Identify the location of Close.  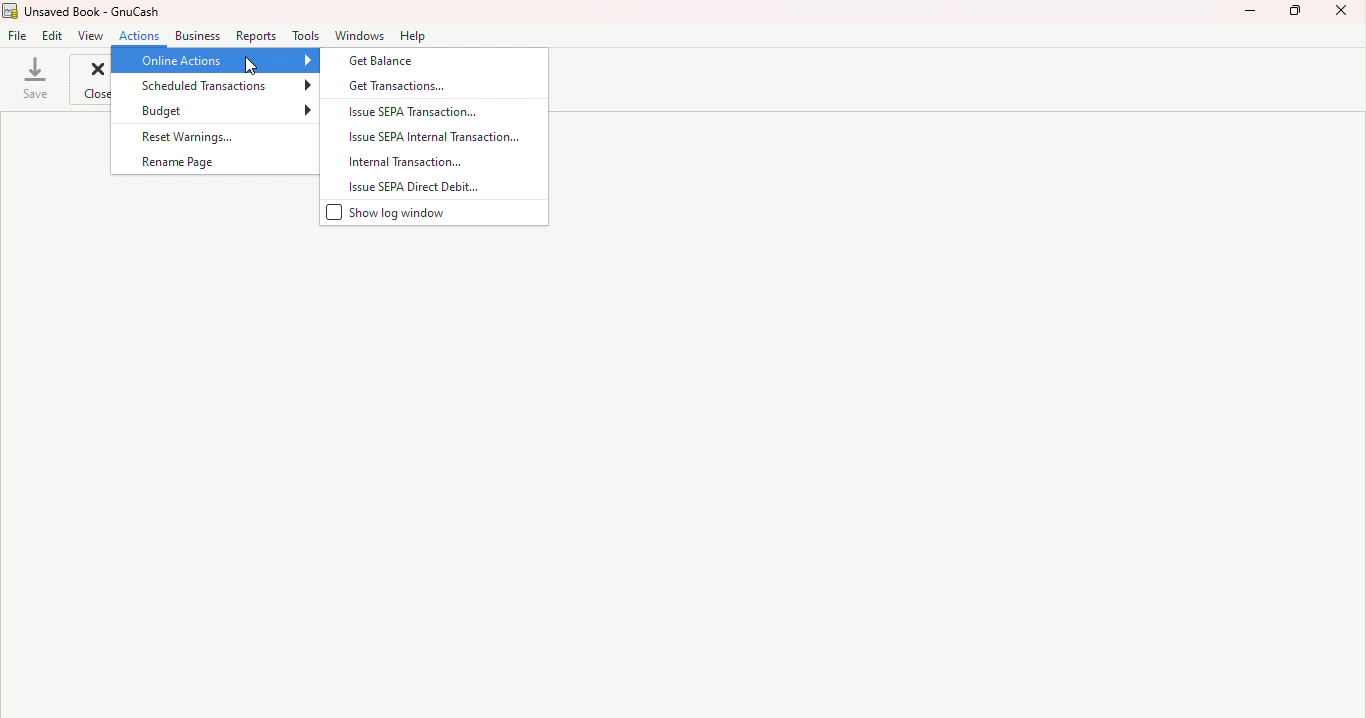
(1343, 15).